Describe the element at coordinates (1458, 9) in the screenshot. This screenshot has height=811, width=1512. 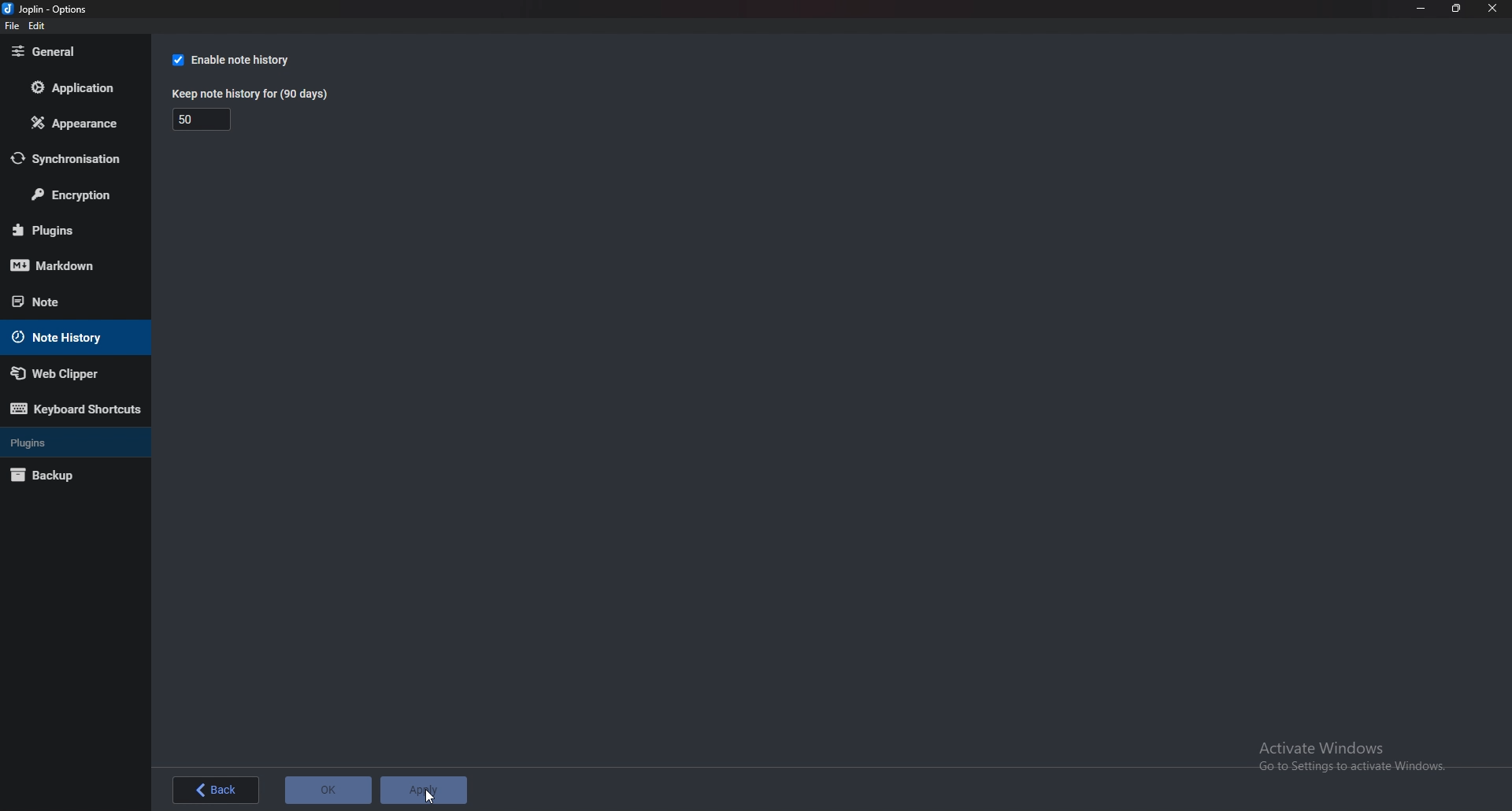
I see `Resize` at that location.